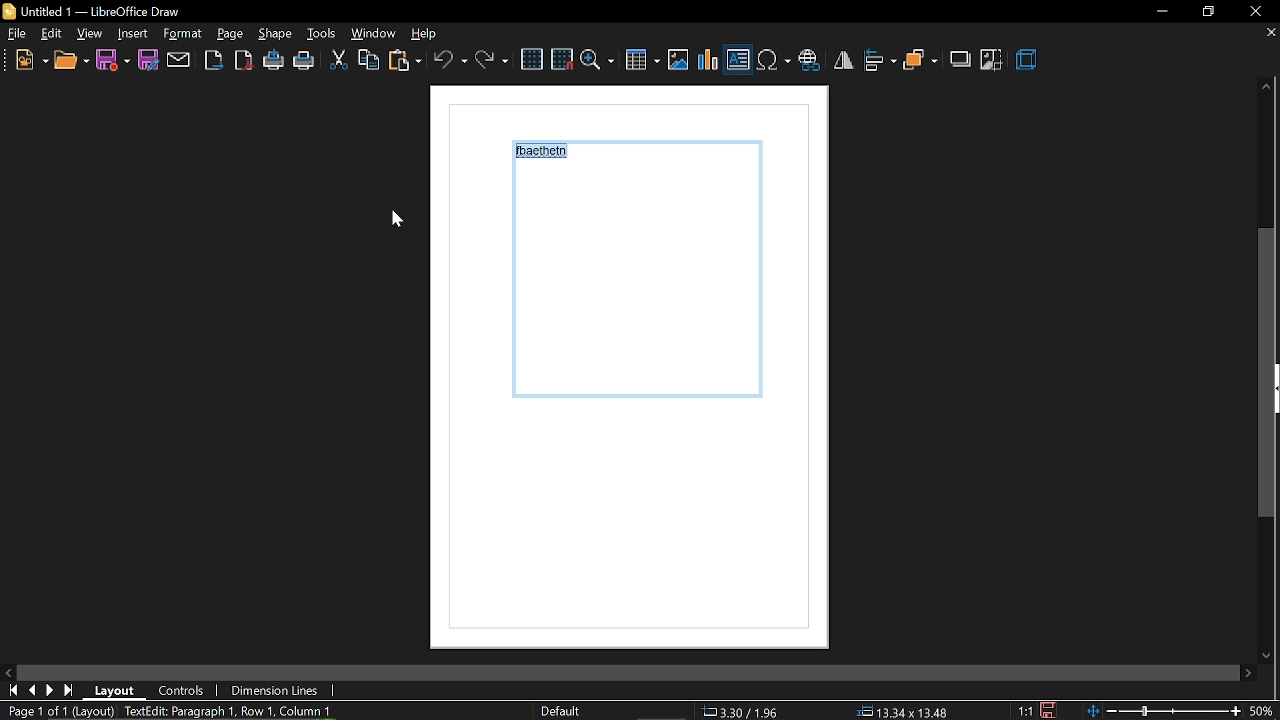  I want to click on align, so click(880, 62).